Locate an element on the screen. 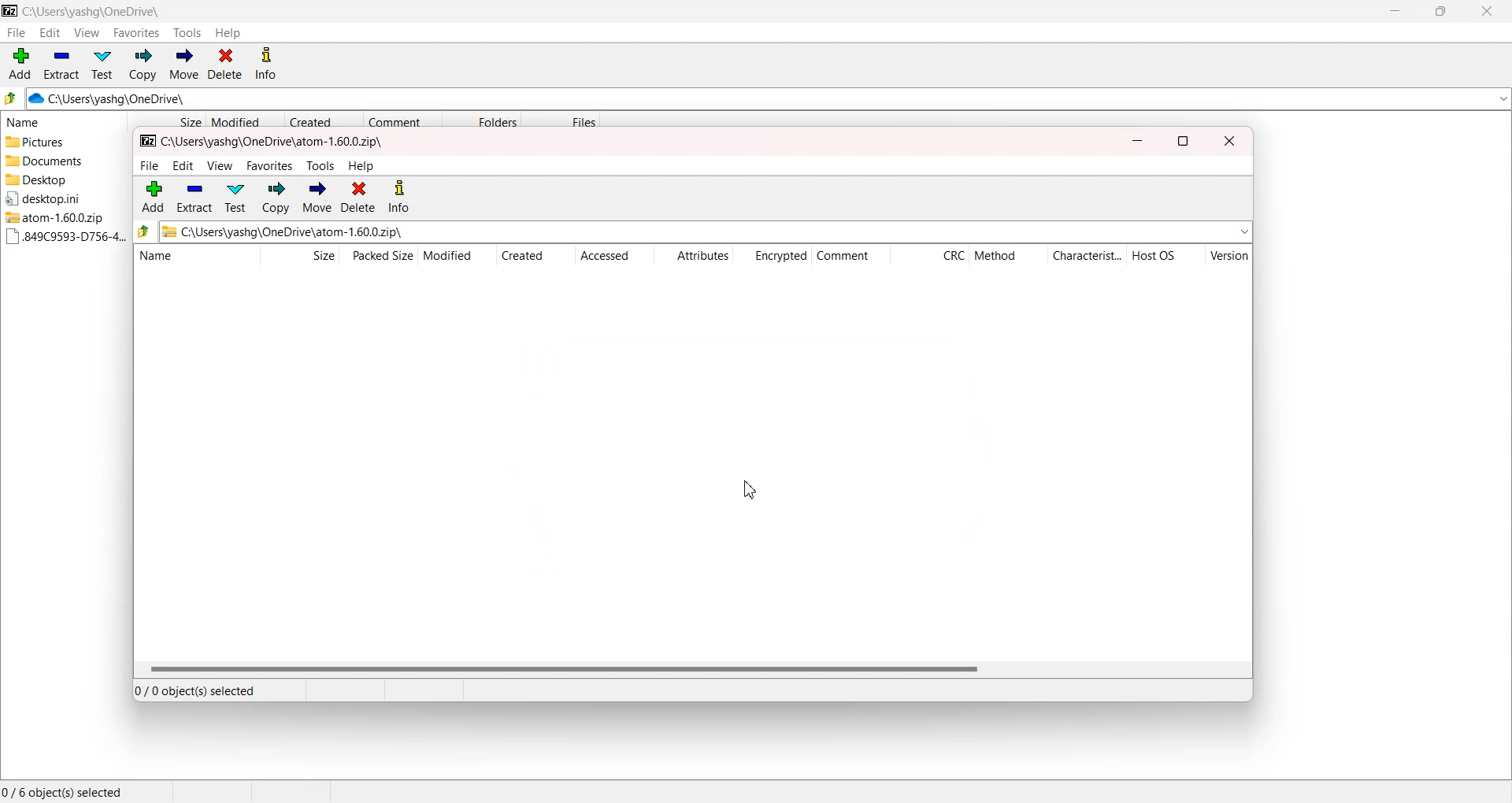 Image resolution: width=1512 pixels, height=803 pixels. Folders is located at coordinates (481, 120).